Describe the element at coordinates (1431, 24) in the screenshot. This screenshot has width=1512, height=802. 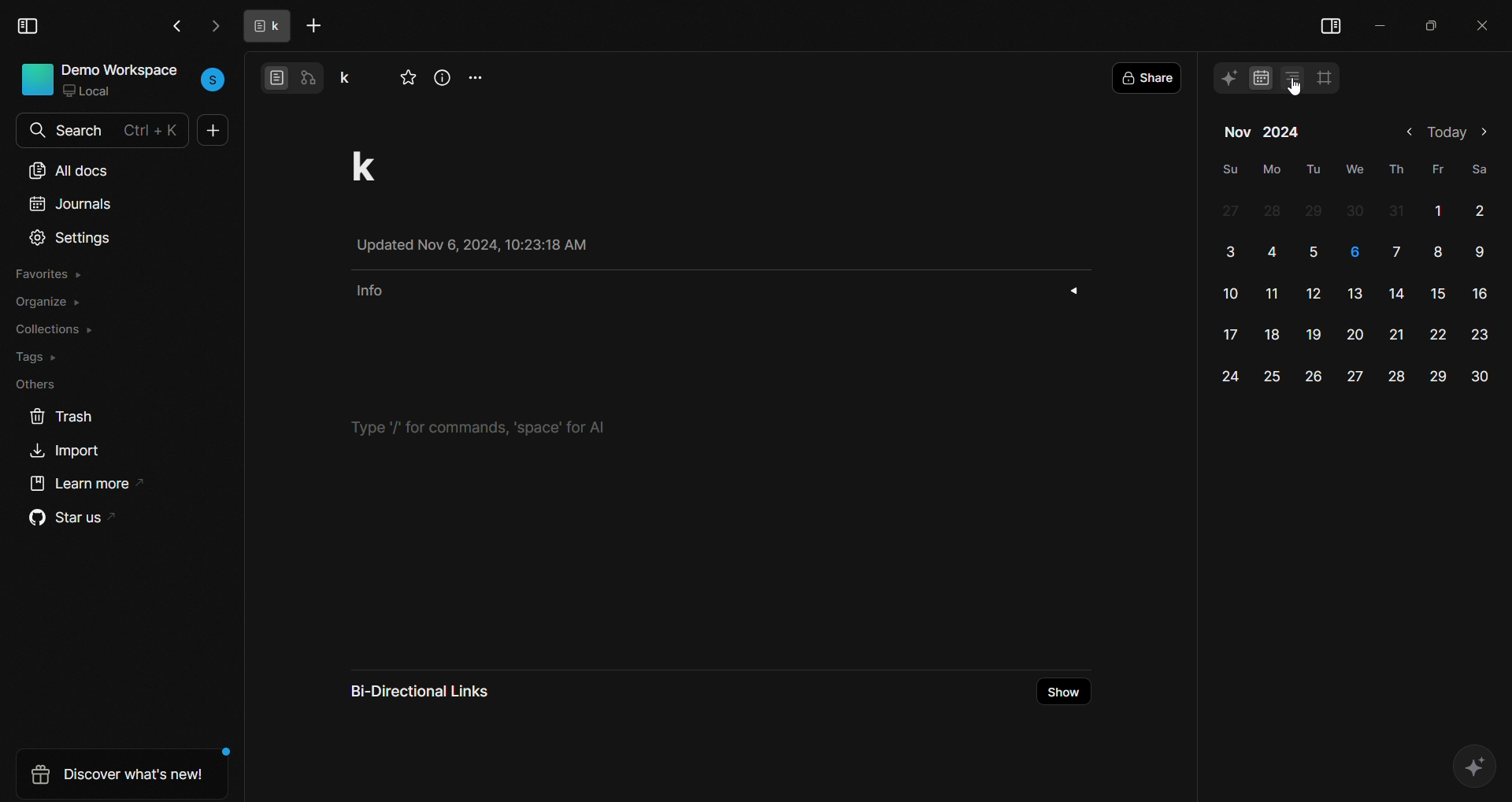
I see `resize` at that location.